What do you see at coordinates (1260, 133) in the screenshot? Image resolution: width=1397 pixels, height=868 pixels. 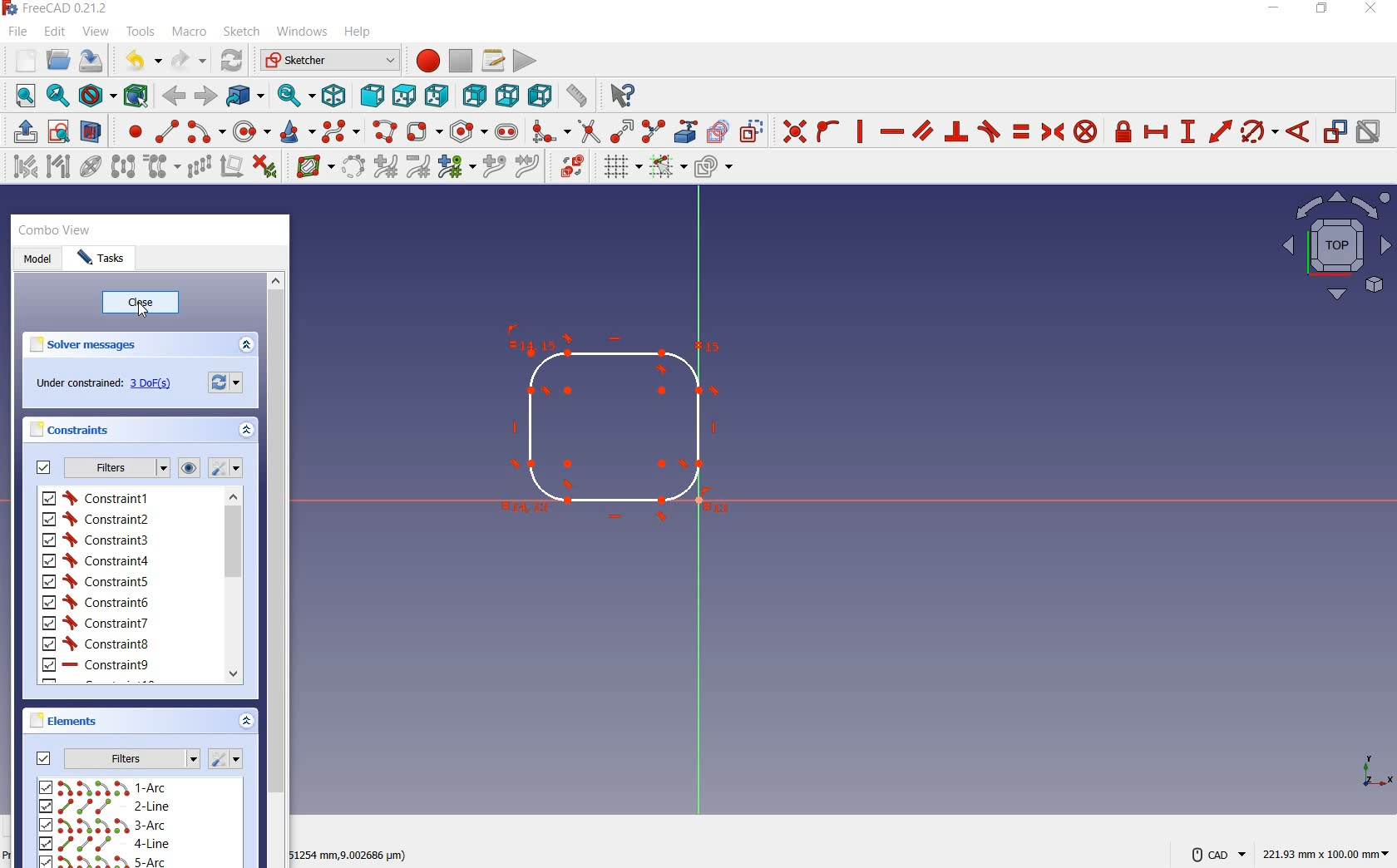 I see `constrain arc or circle` at bounding box center [1260, 133].